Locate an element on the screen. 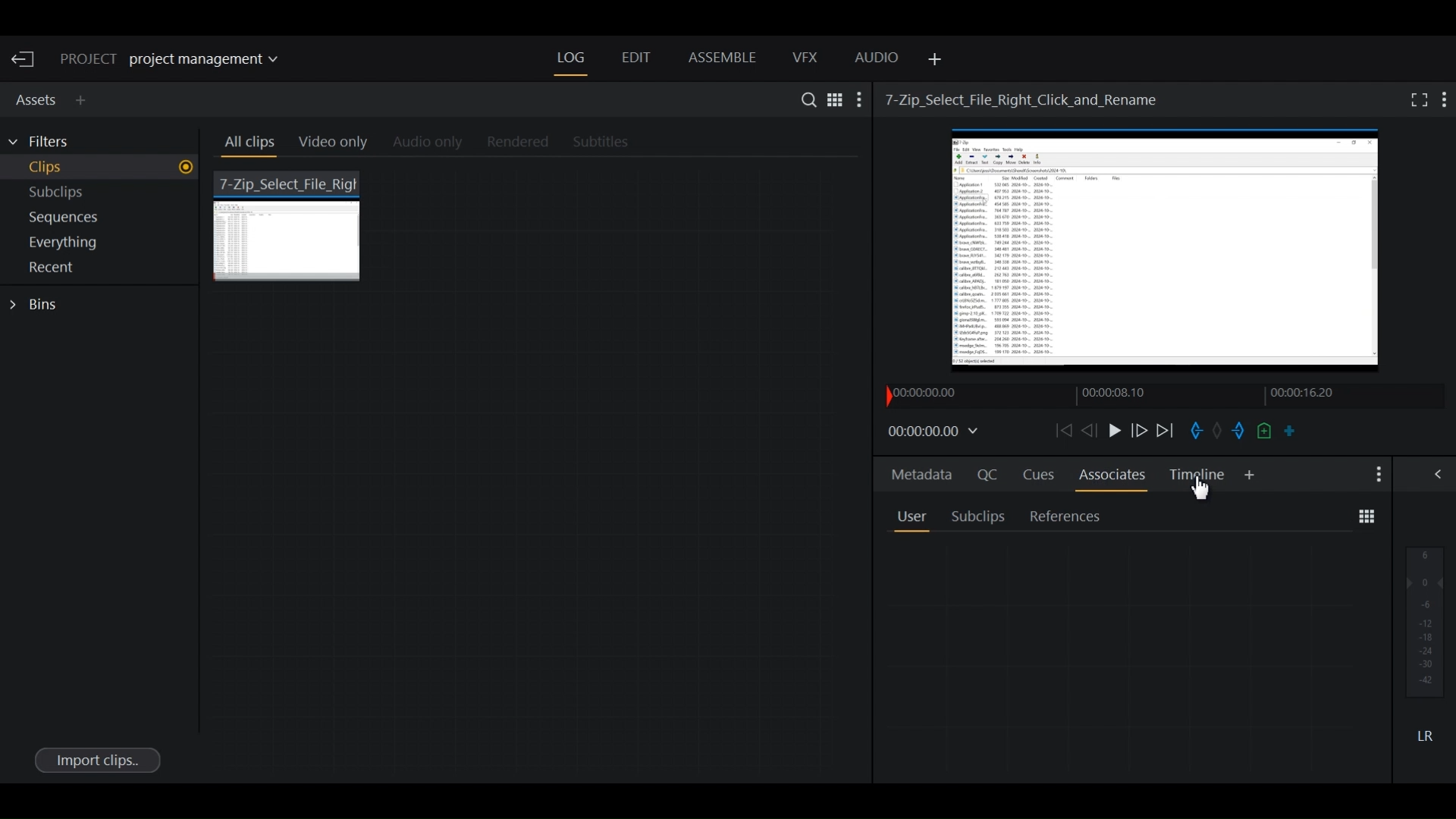 Image resolution: width=1456 pixels, height=819 pixels. Show Clips in current project is located at coordinates (102, 169).